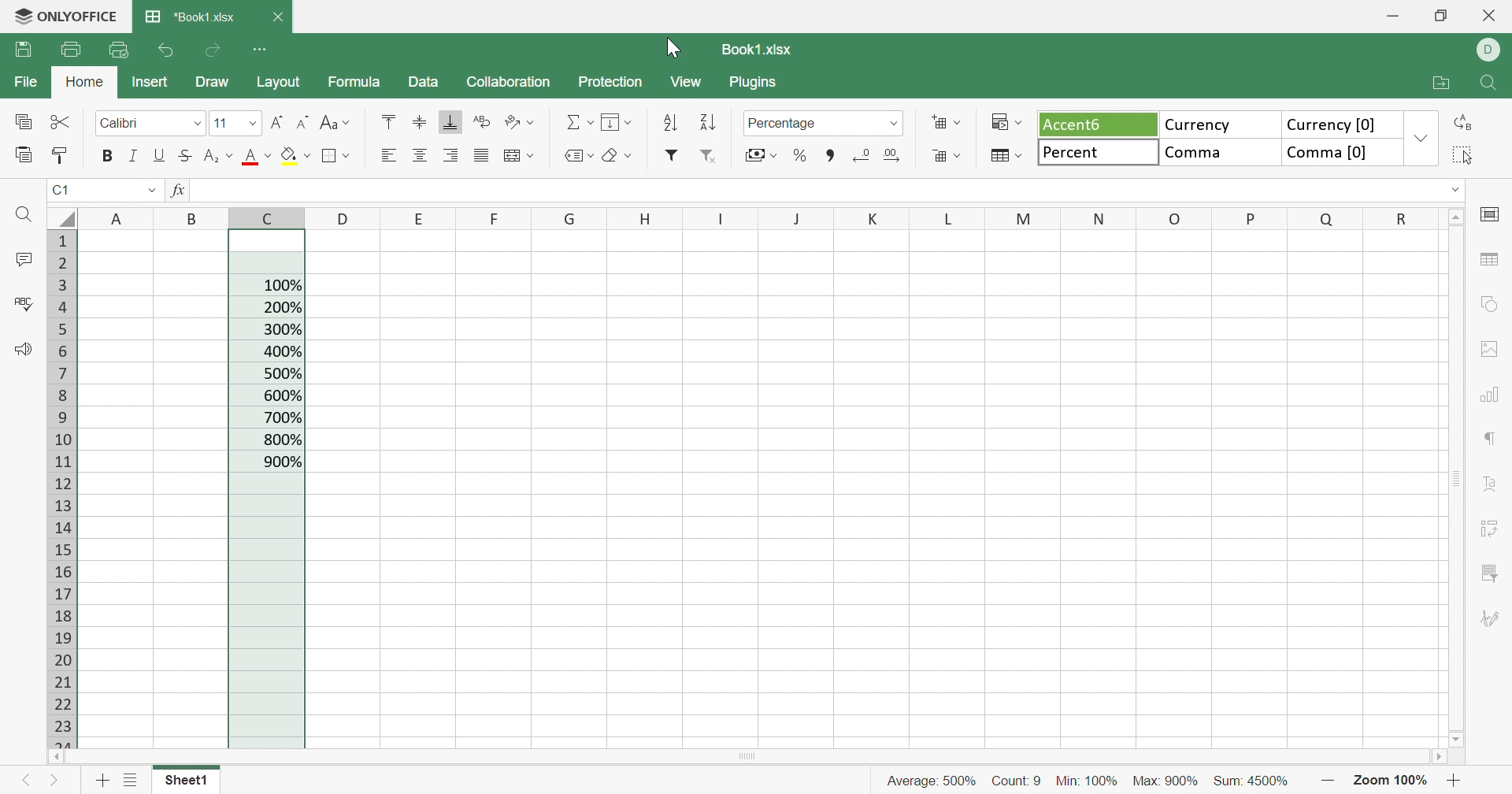 This screenshot has height=794, width=1512. I want to click on Currency(0), so click(1343, 125).